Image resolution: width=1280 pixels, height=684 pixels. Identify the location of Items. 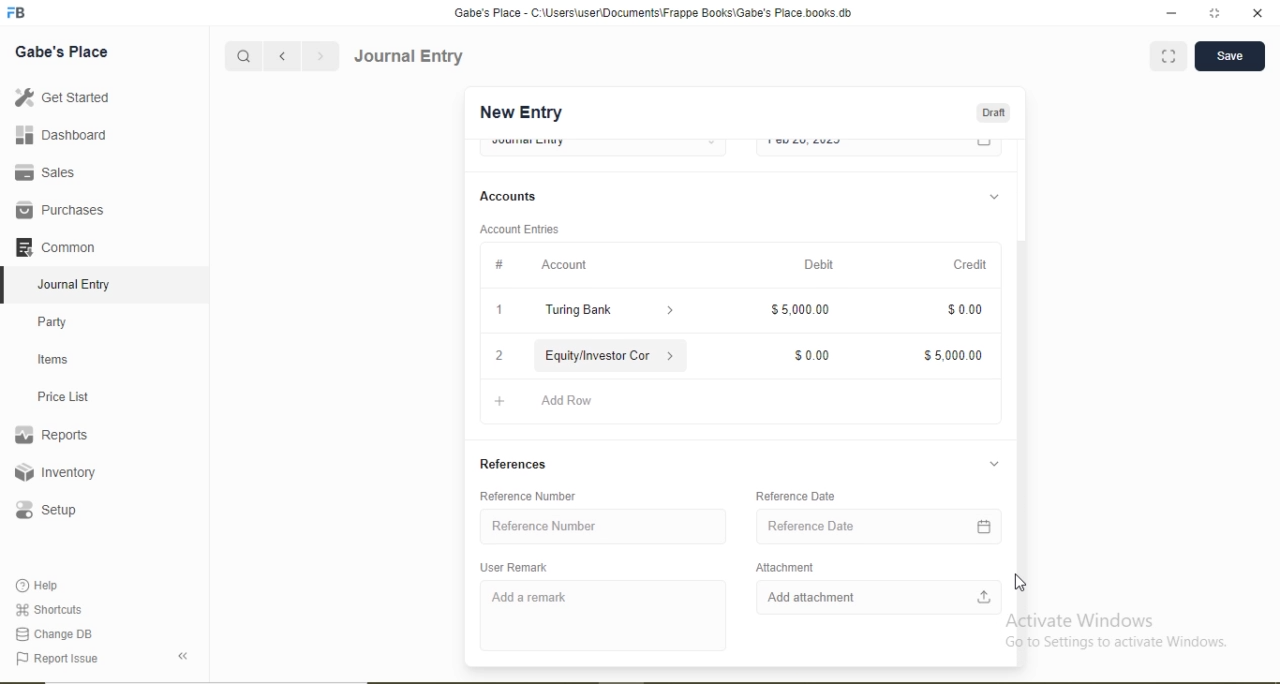
(53, 359).